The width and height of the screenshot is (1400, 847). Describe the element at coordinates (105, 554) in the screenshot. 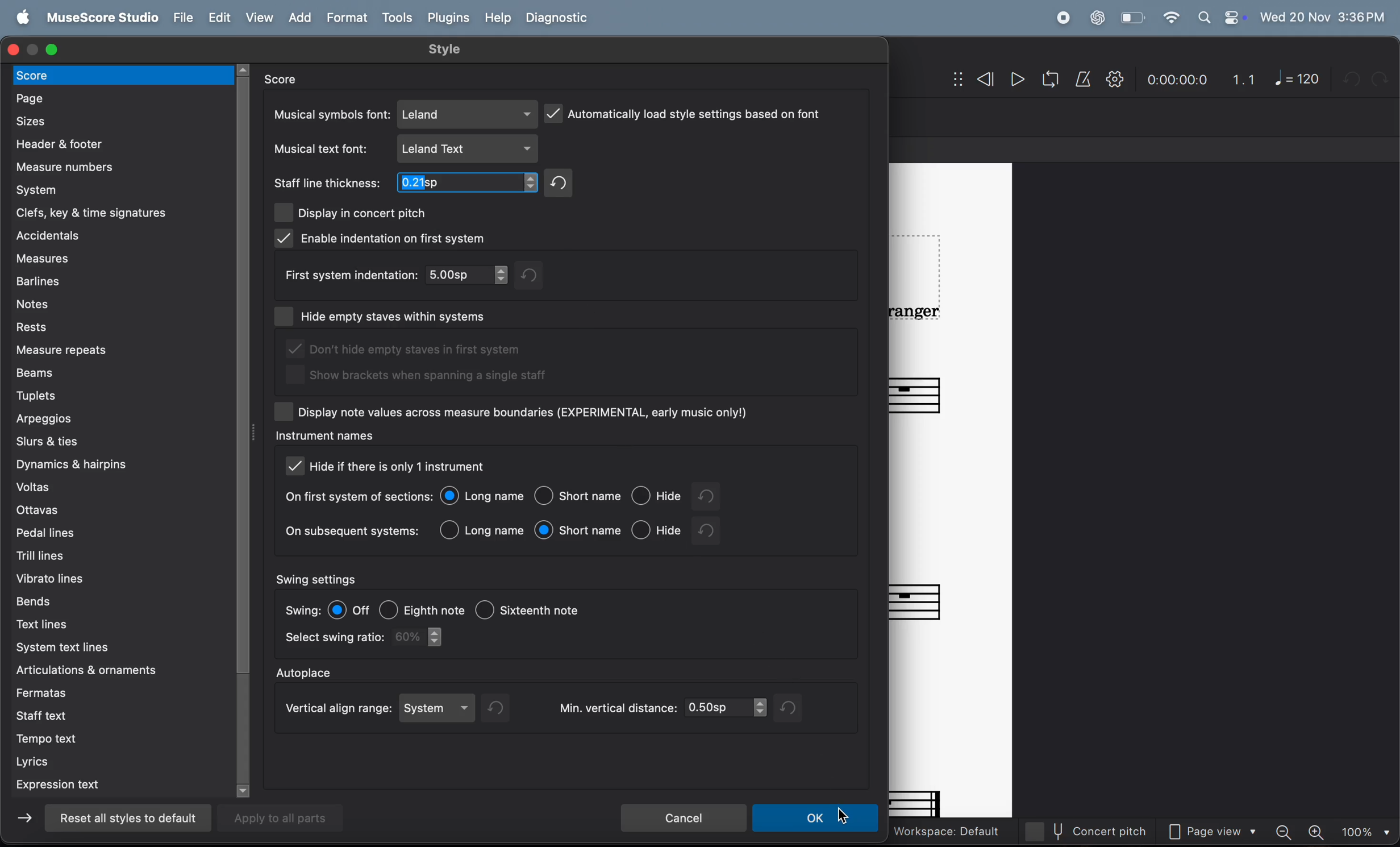

I see `trill lines` at that location.